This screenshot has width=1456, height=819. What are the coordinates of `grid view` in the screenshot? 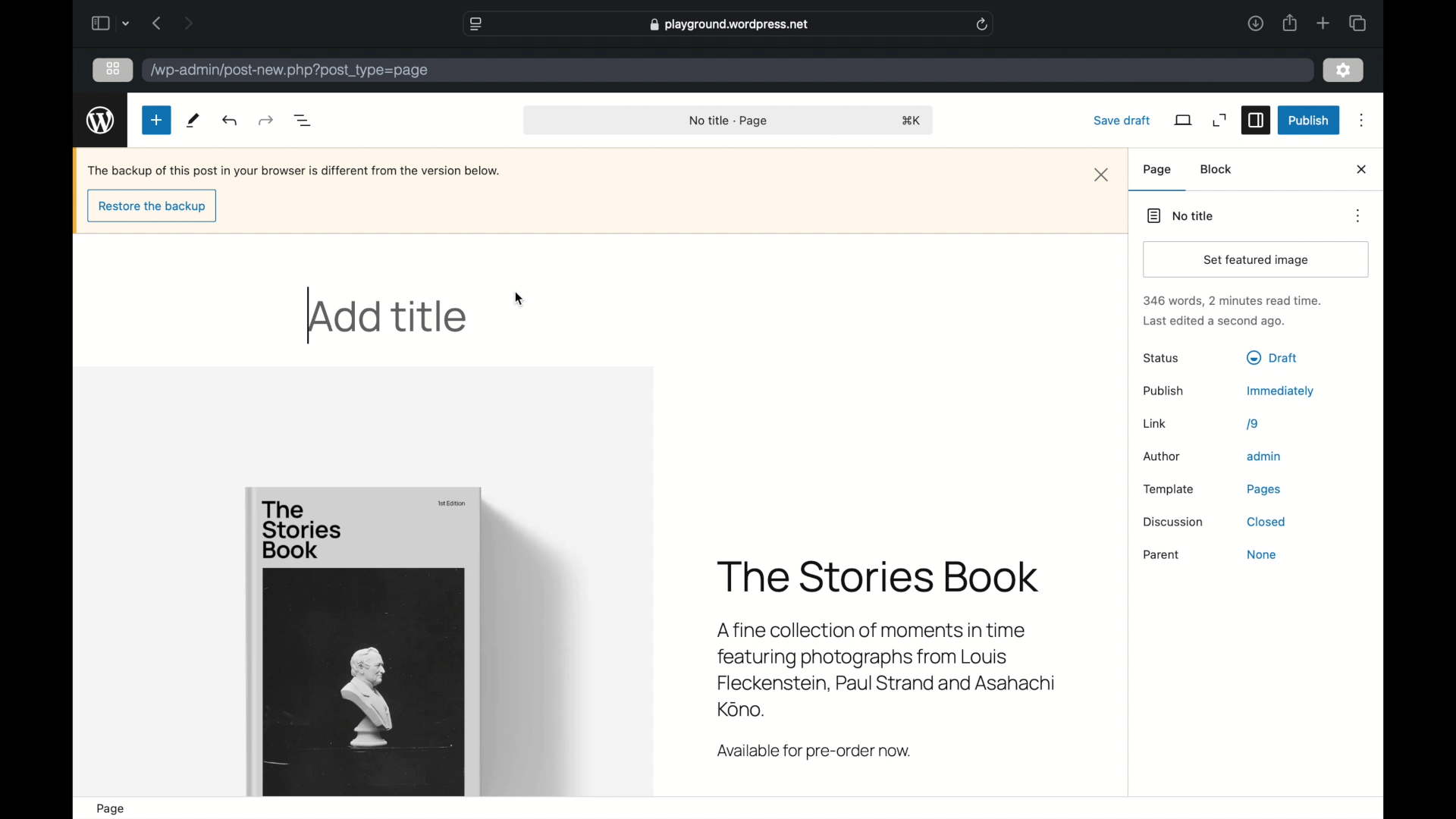 It's located at (113, 70).